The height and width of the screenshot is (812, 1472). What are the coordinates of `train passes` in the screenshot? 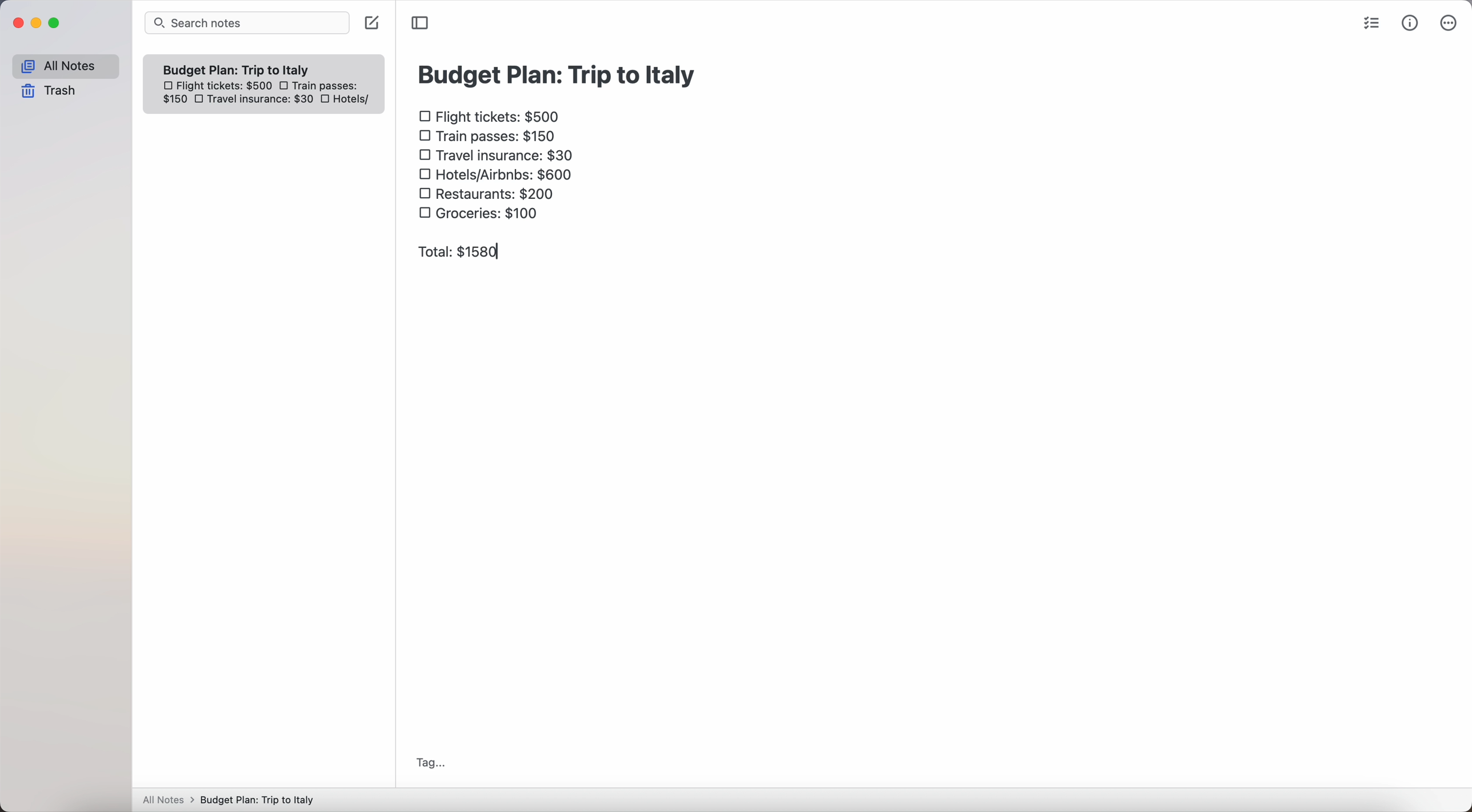 It's located at (326, 84).